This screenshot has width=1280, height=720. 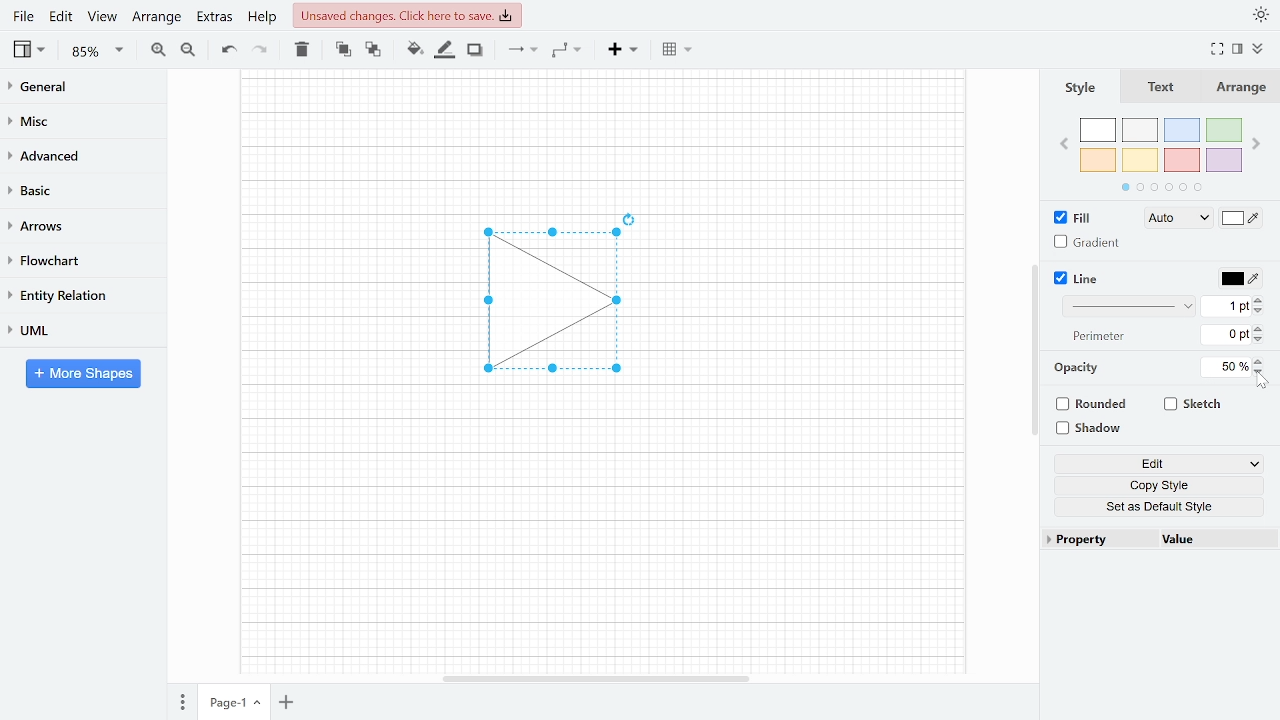 I want to click on Waypoints, so click(x=568, y=49).